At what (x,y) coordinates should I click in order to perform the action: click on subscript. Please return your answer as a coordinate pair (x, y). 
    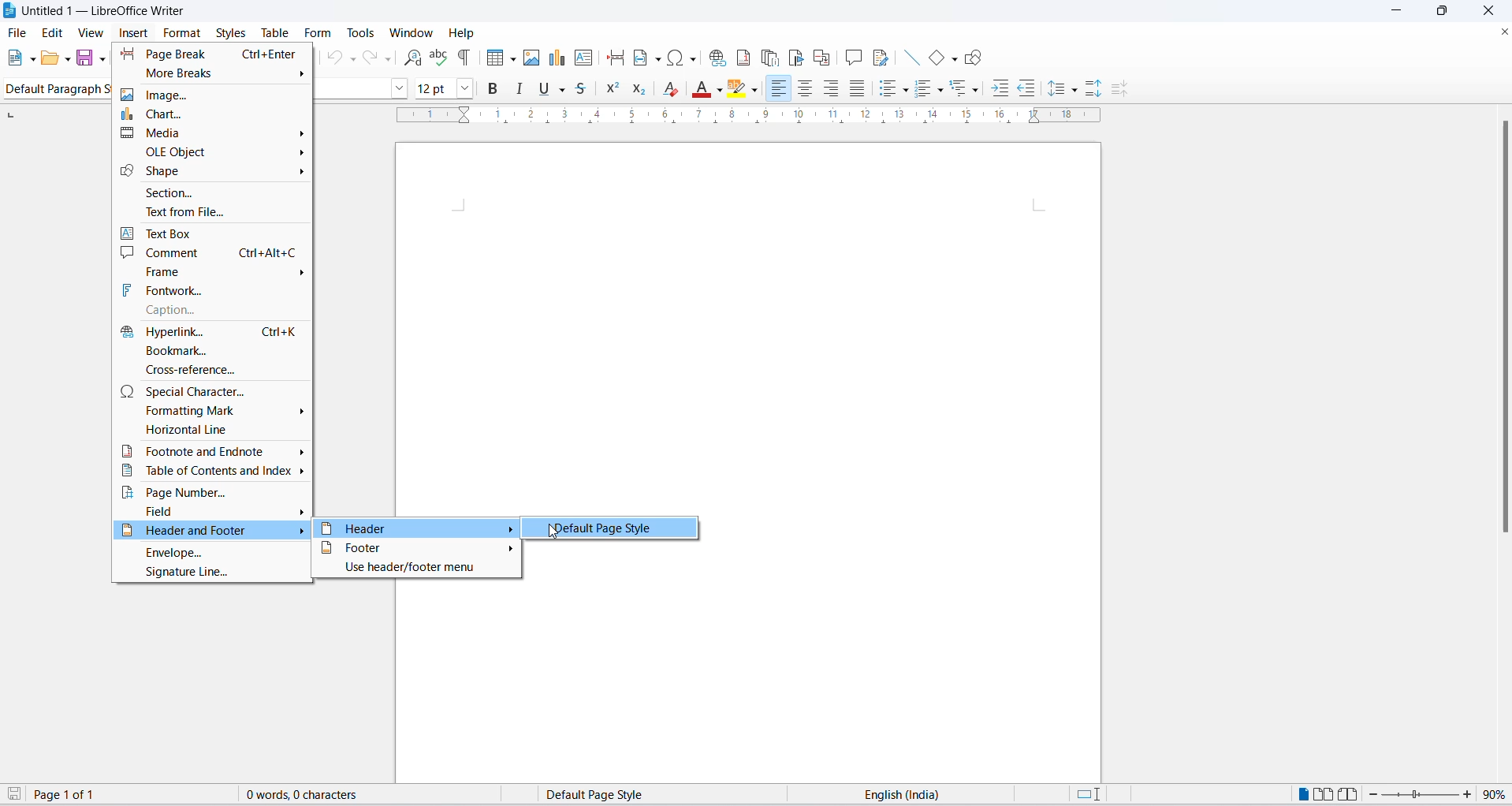
    Looking at the image, I should click on (646, 91).